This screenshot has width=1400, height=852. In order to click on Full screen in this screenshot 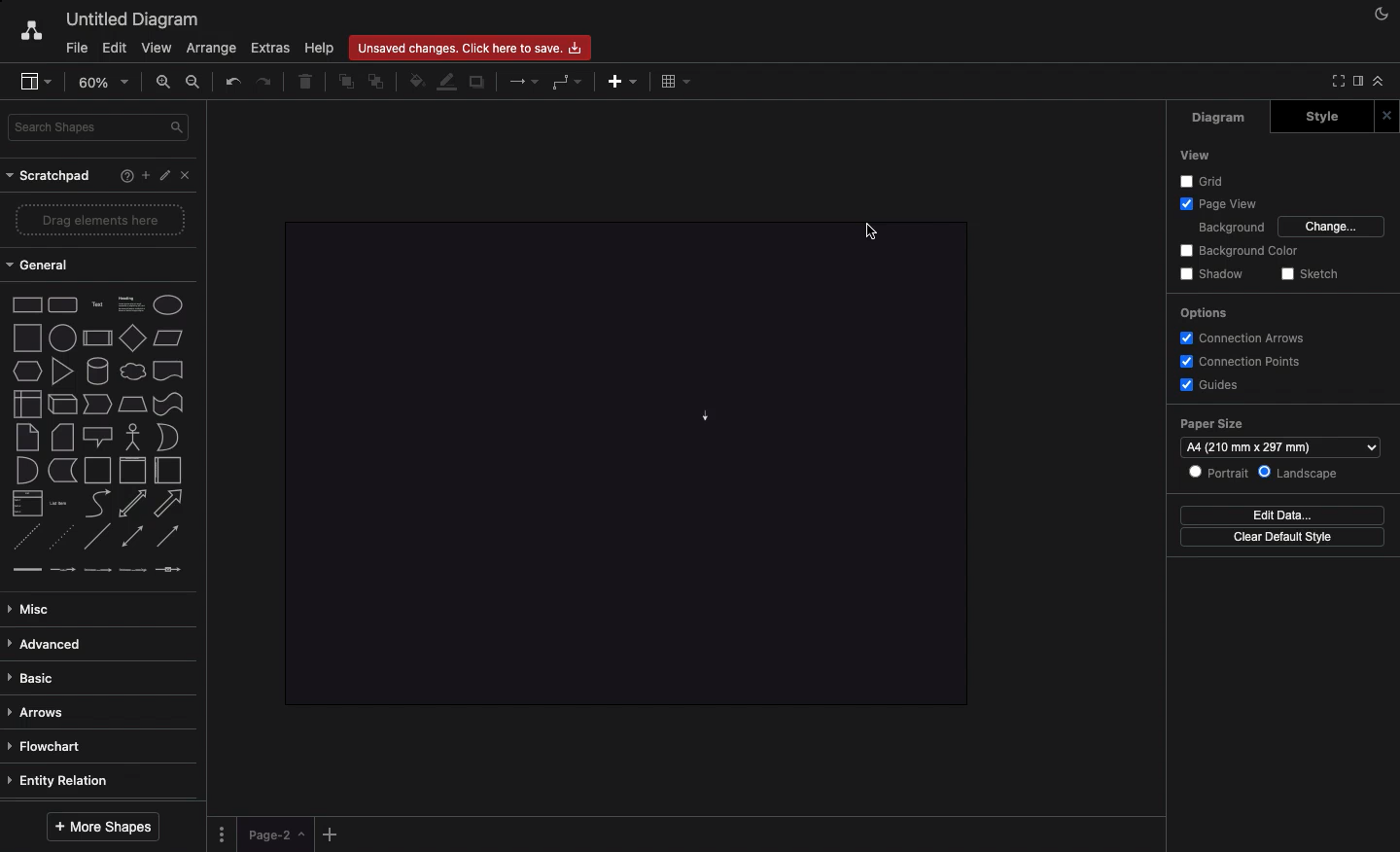, I will do `click(1334, 82)`.